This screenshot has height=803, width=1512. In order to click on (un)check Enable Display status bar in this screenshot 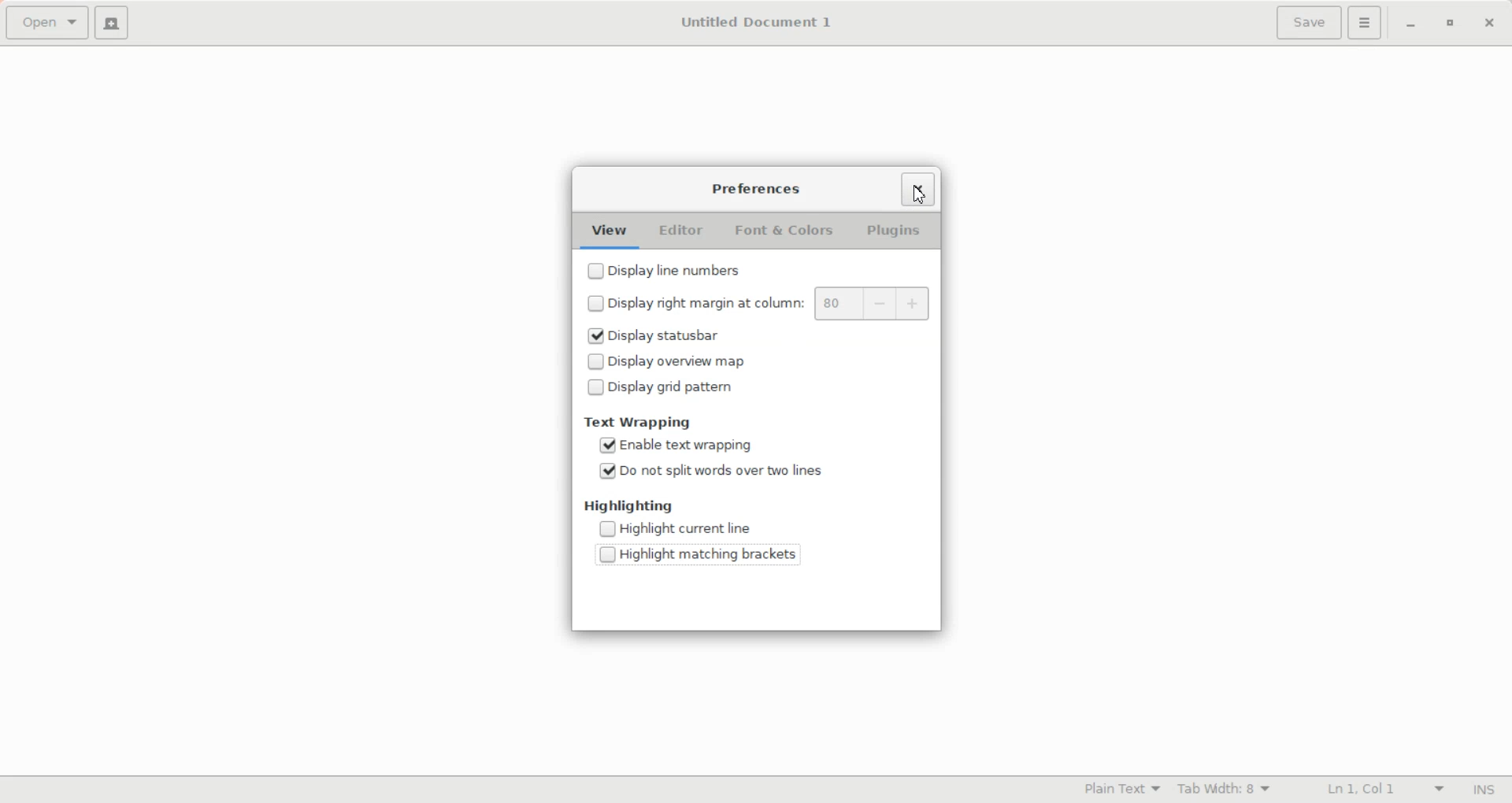, I will do `click(722, 336)`.